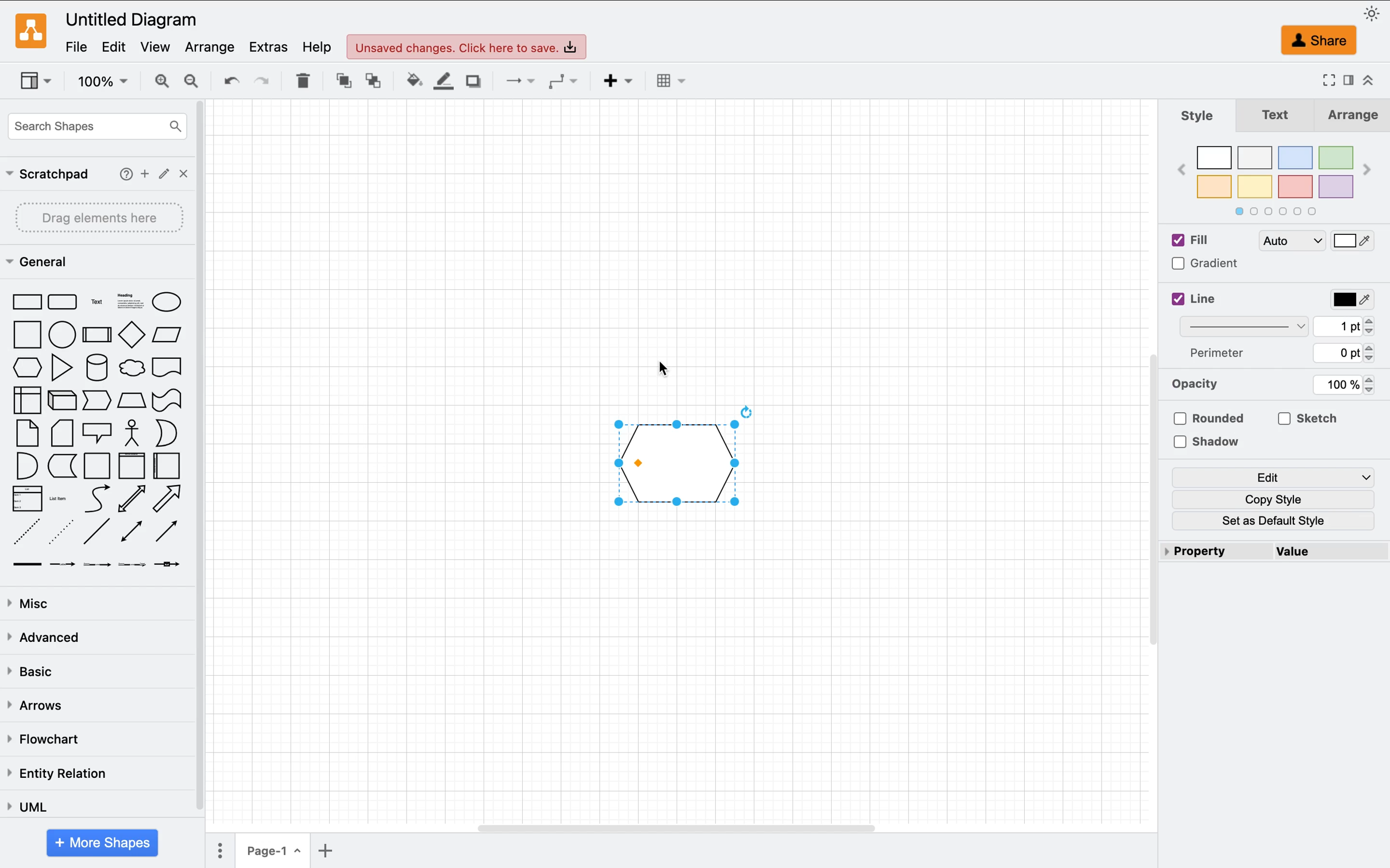 Image resolution: width=1390 pixels, height=868 pixels. Describe the element at coordinates (1347, 82) in the screenshot. I see `format` at that location.